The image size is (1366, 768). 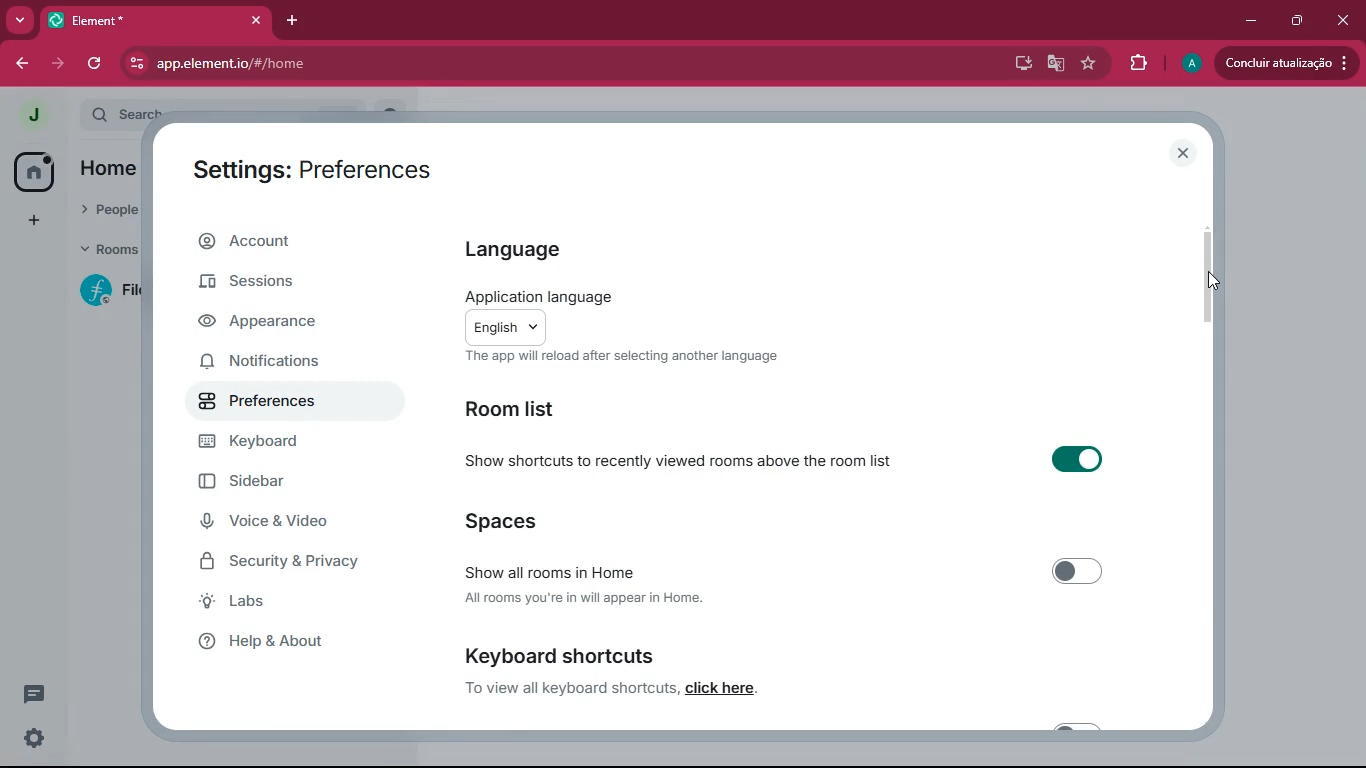 What do you see at coordinates (288, 24) in the screenshot?
I see `add tab` at bounding box center [288, 24].